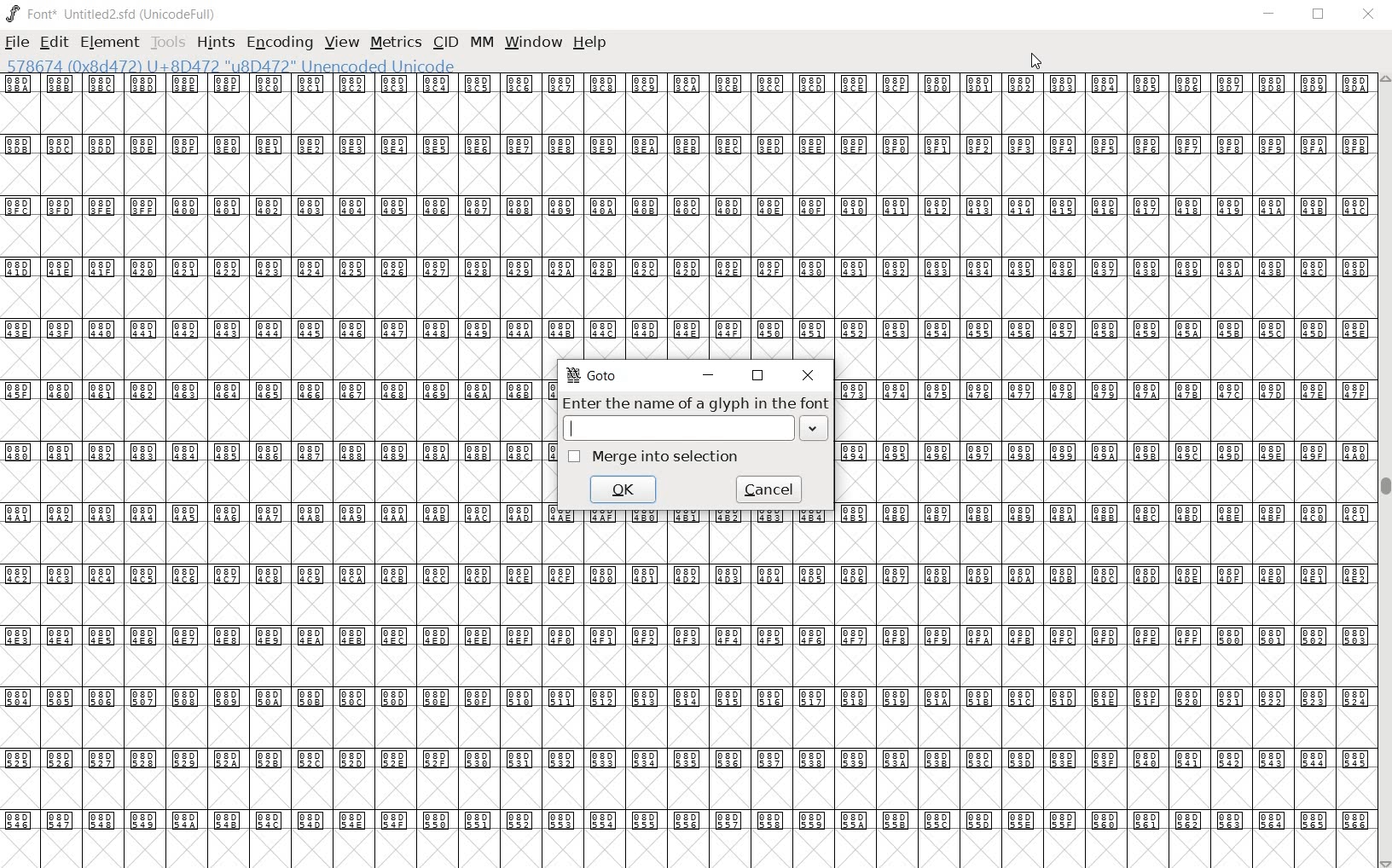 The image size is (1392, 868). I want to click on edit, so click(55, 42).